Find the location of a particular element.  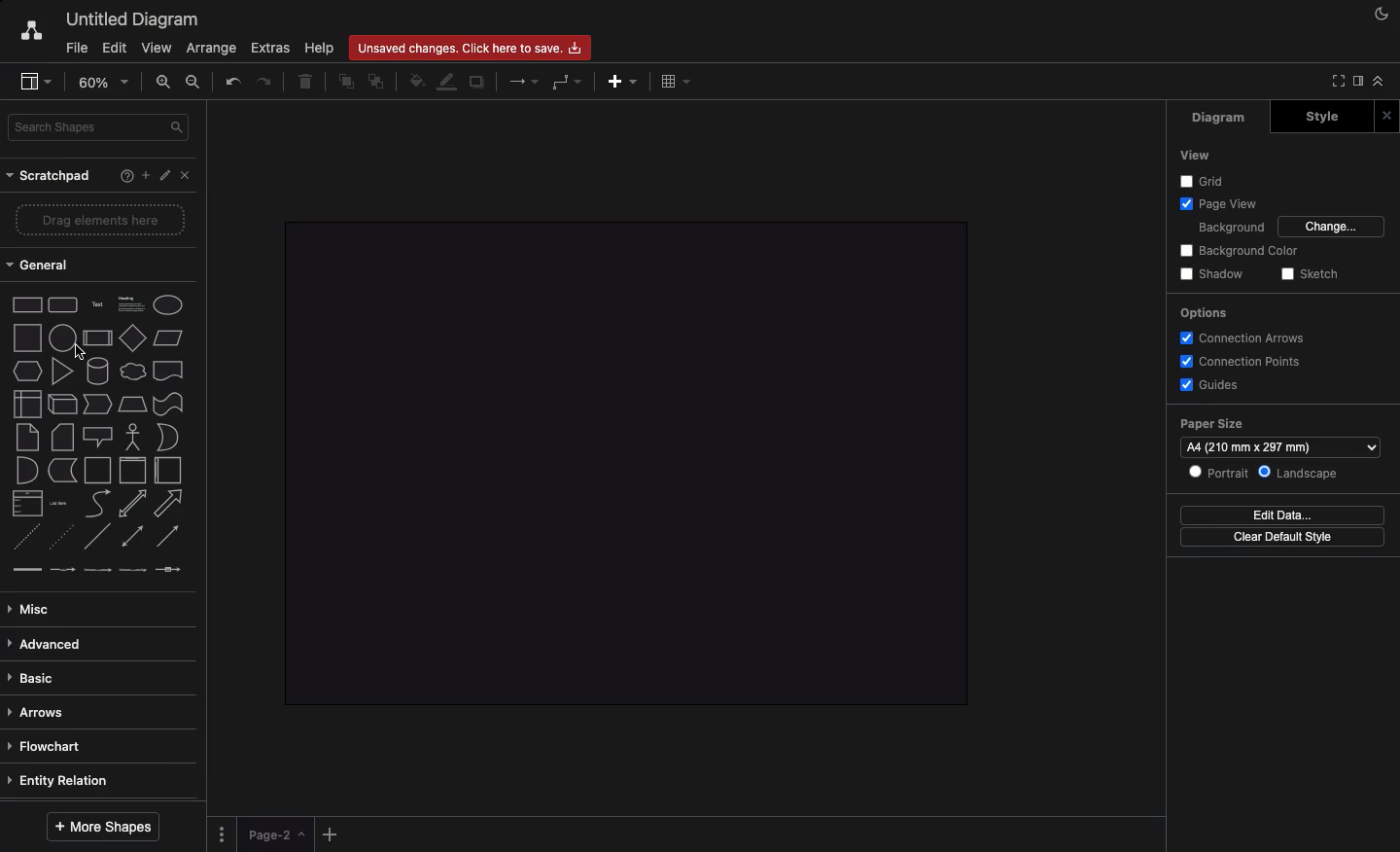

Arrows is located at coordinates (523, 81).